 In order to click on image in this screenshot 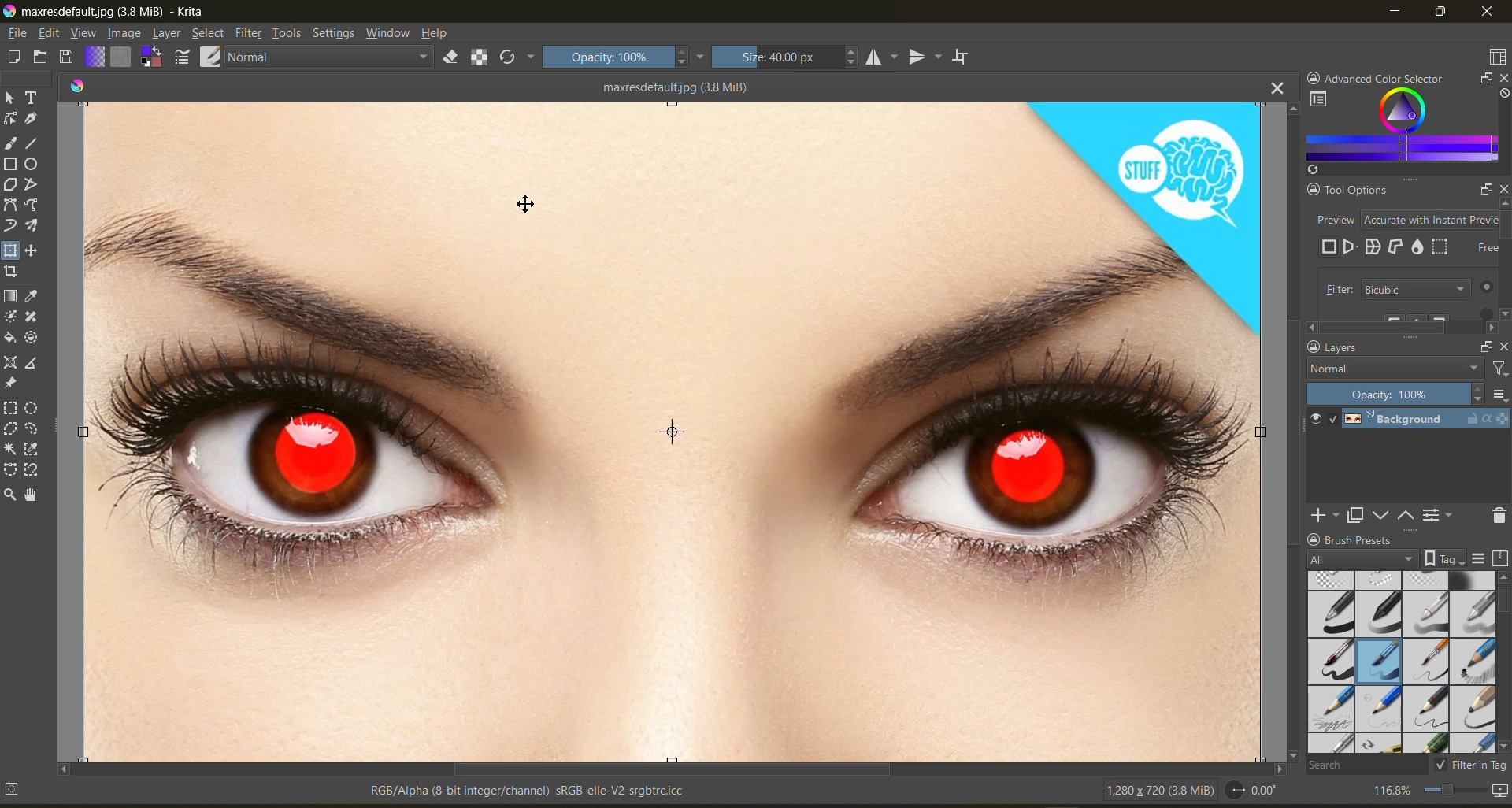, I will do `click(126, 33)`.